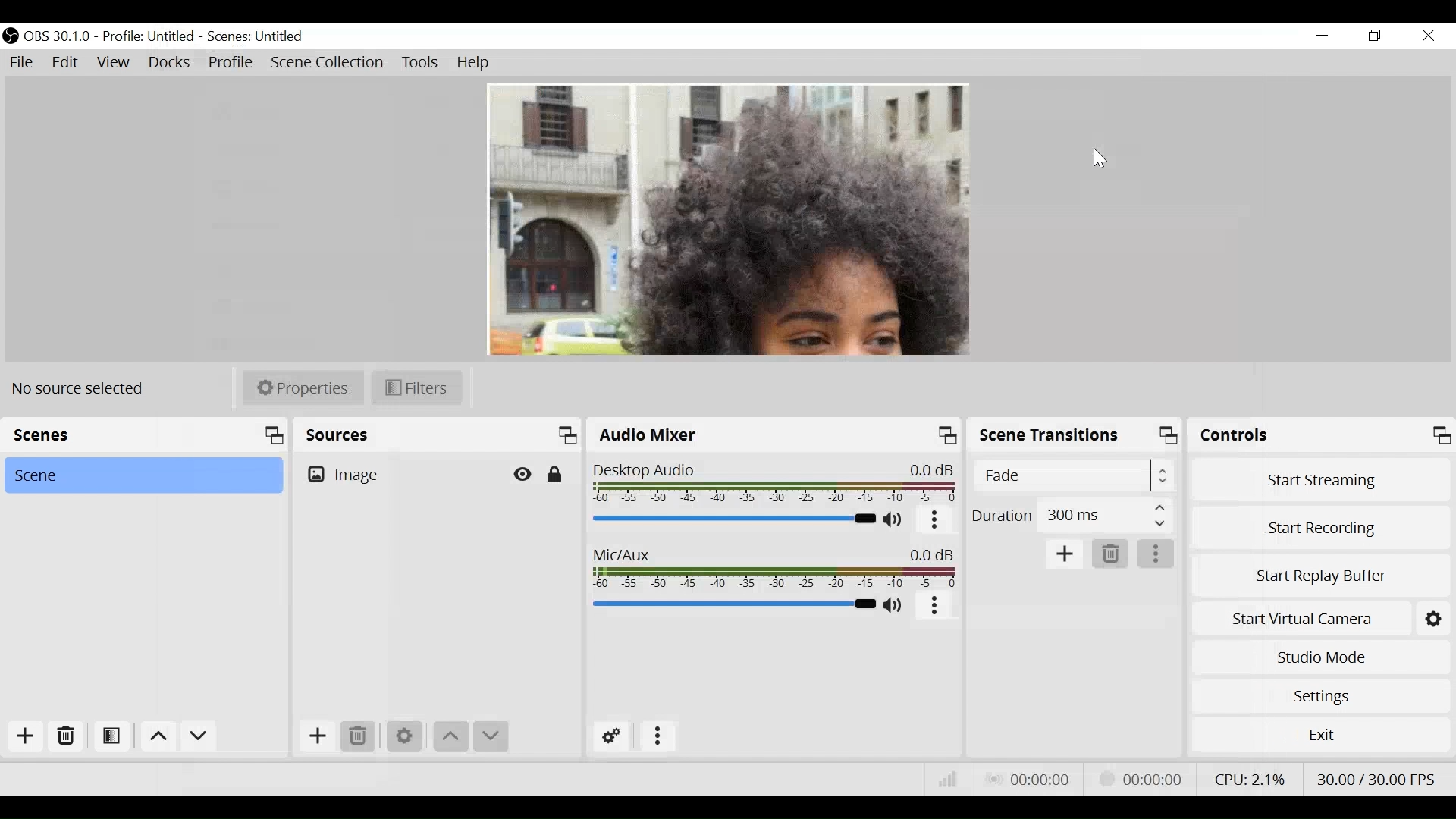 This screenshot has height=819, width=1456. I want to click on OBS 30.1.0, so click(57, 36).